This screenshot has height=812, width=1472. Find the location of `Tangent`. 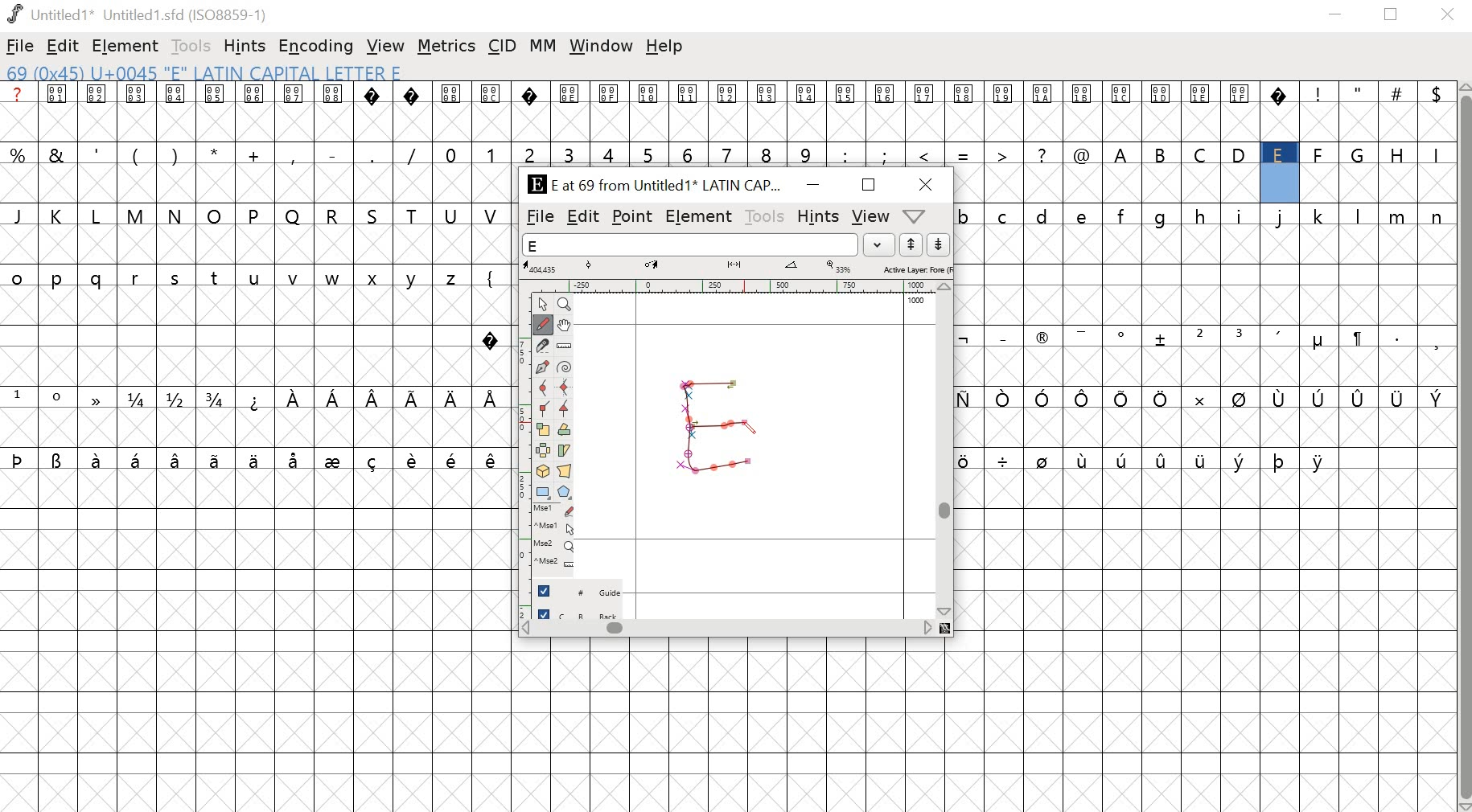

Tangent is located at coordinates (563, 409).